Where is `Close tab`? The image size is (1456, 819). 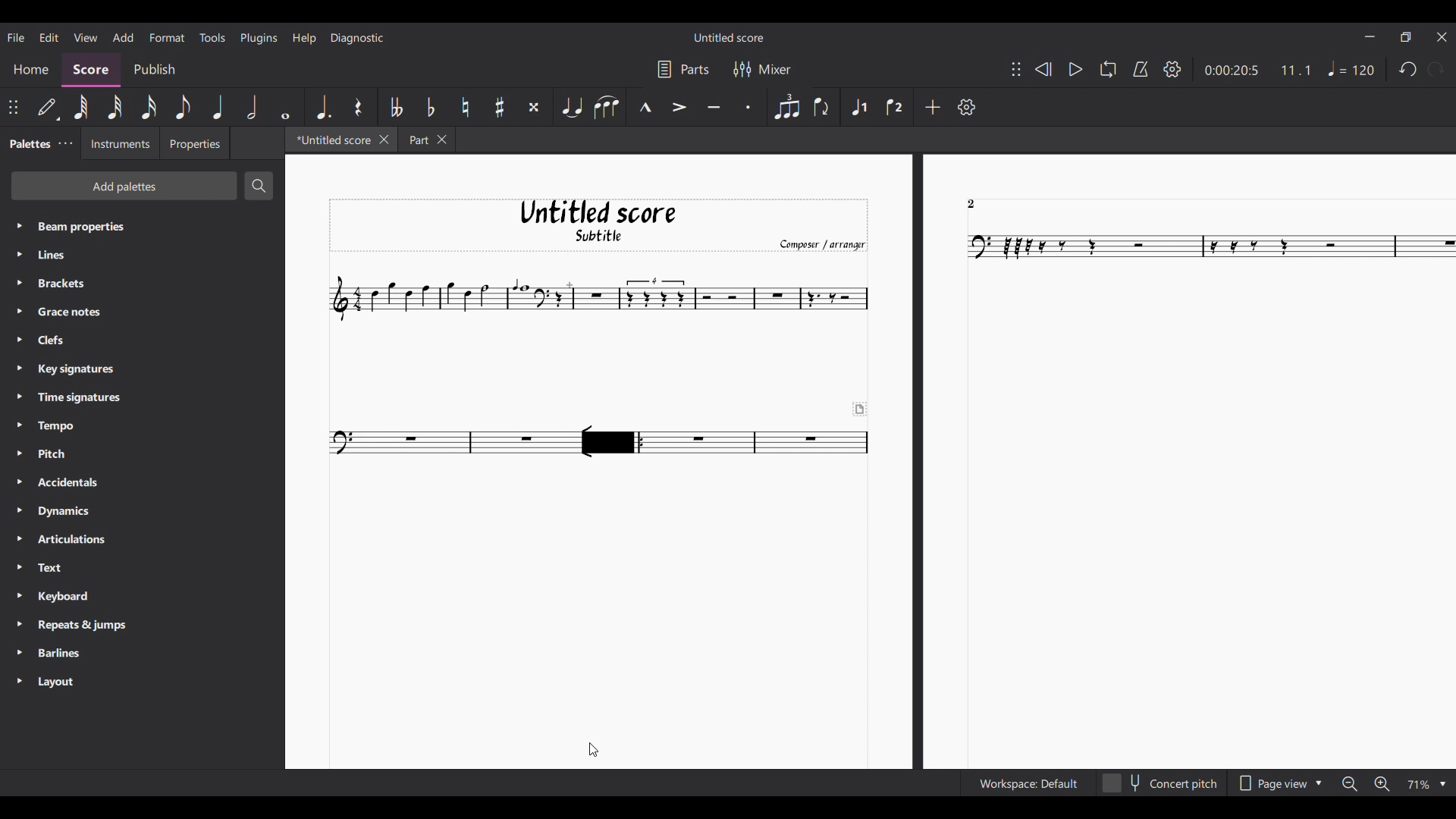 Close tab is located at coordinates (384, 140).